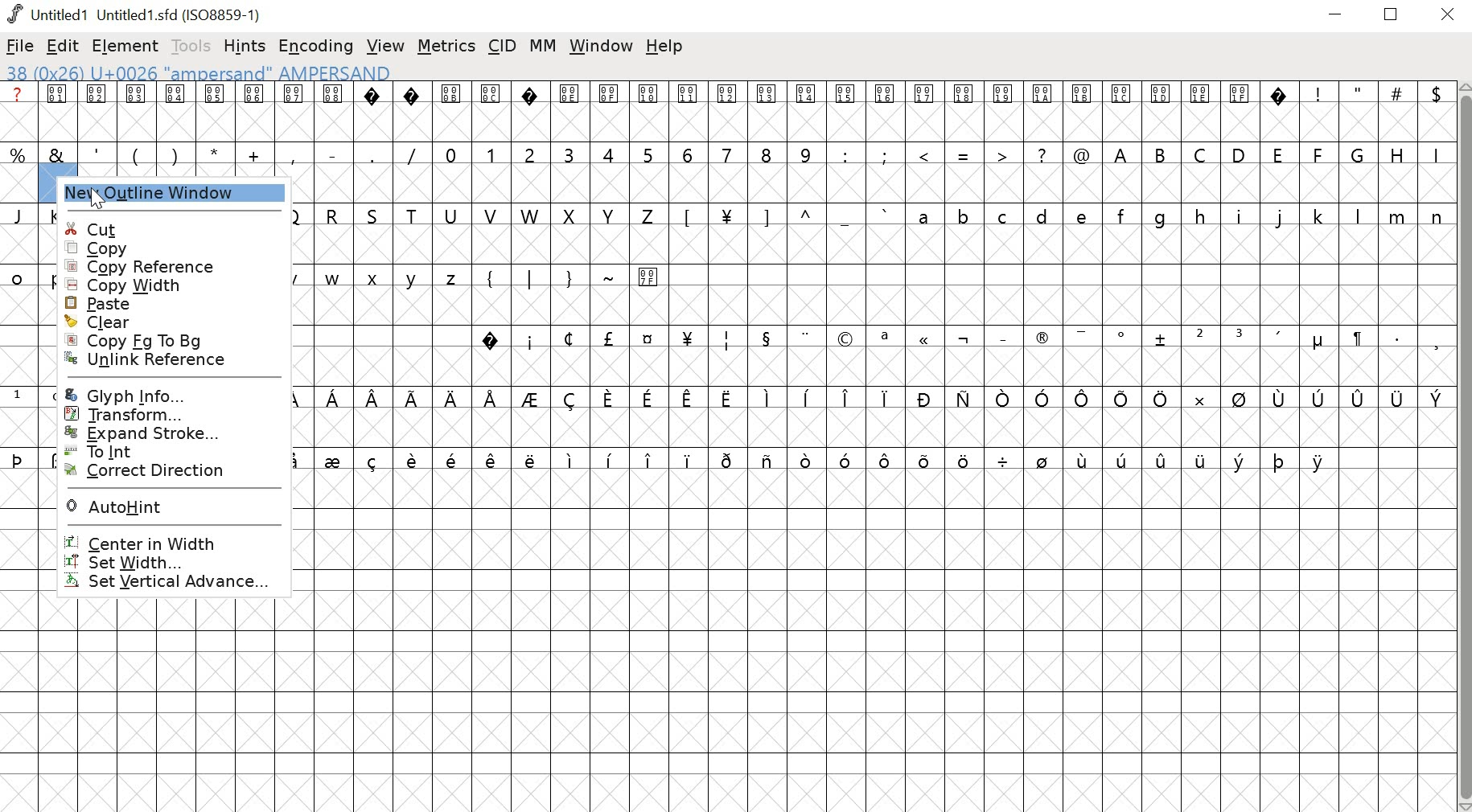  I want to click on 0012, so click(731, 111).